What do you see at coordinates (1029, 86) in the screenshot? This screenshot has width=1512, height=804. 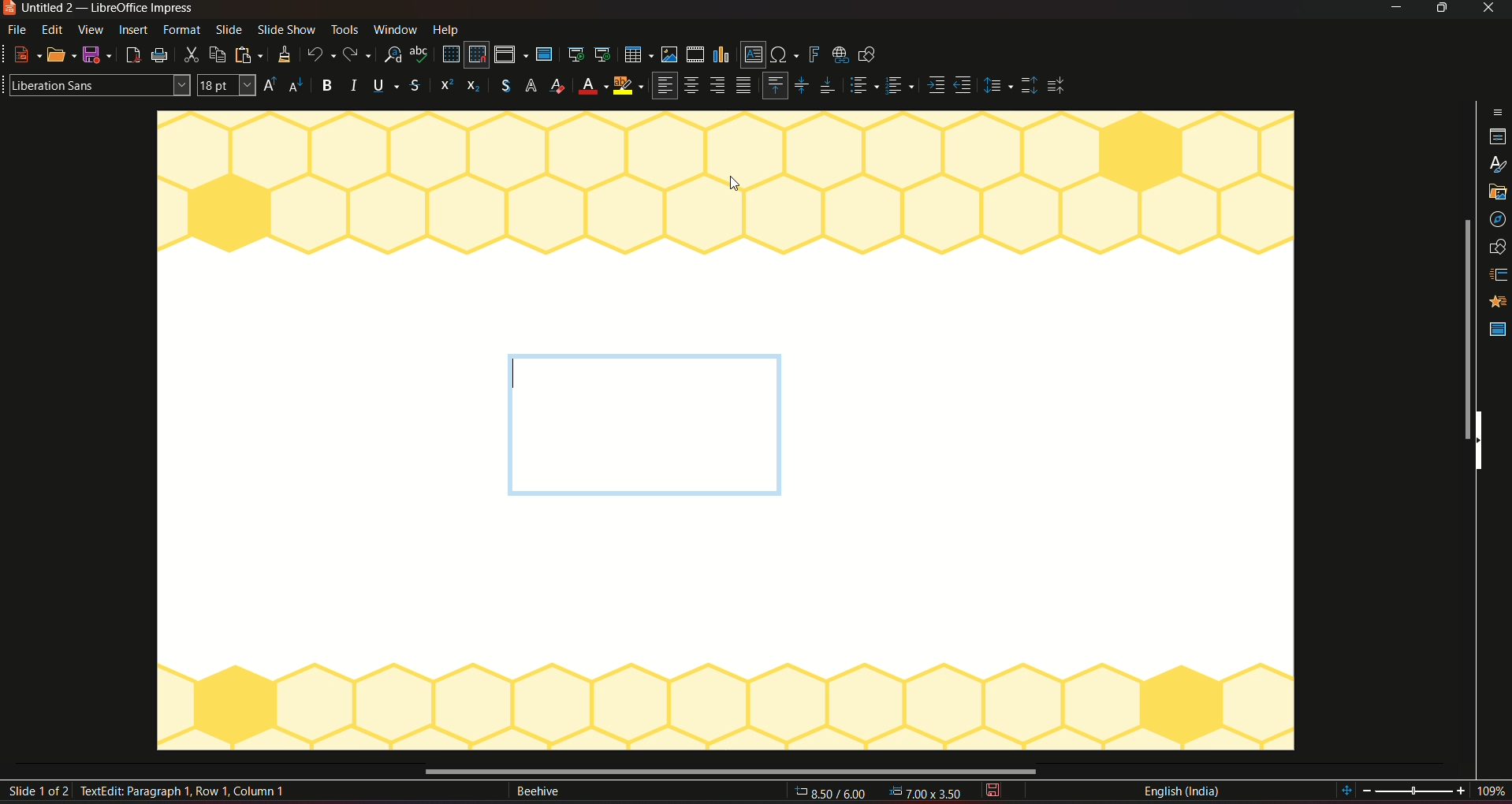 I see `Top spacing` at bounding box center [1029, 86].